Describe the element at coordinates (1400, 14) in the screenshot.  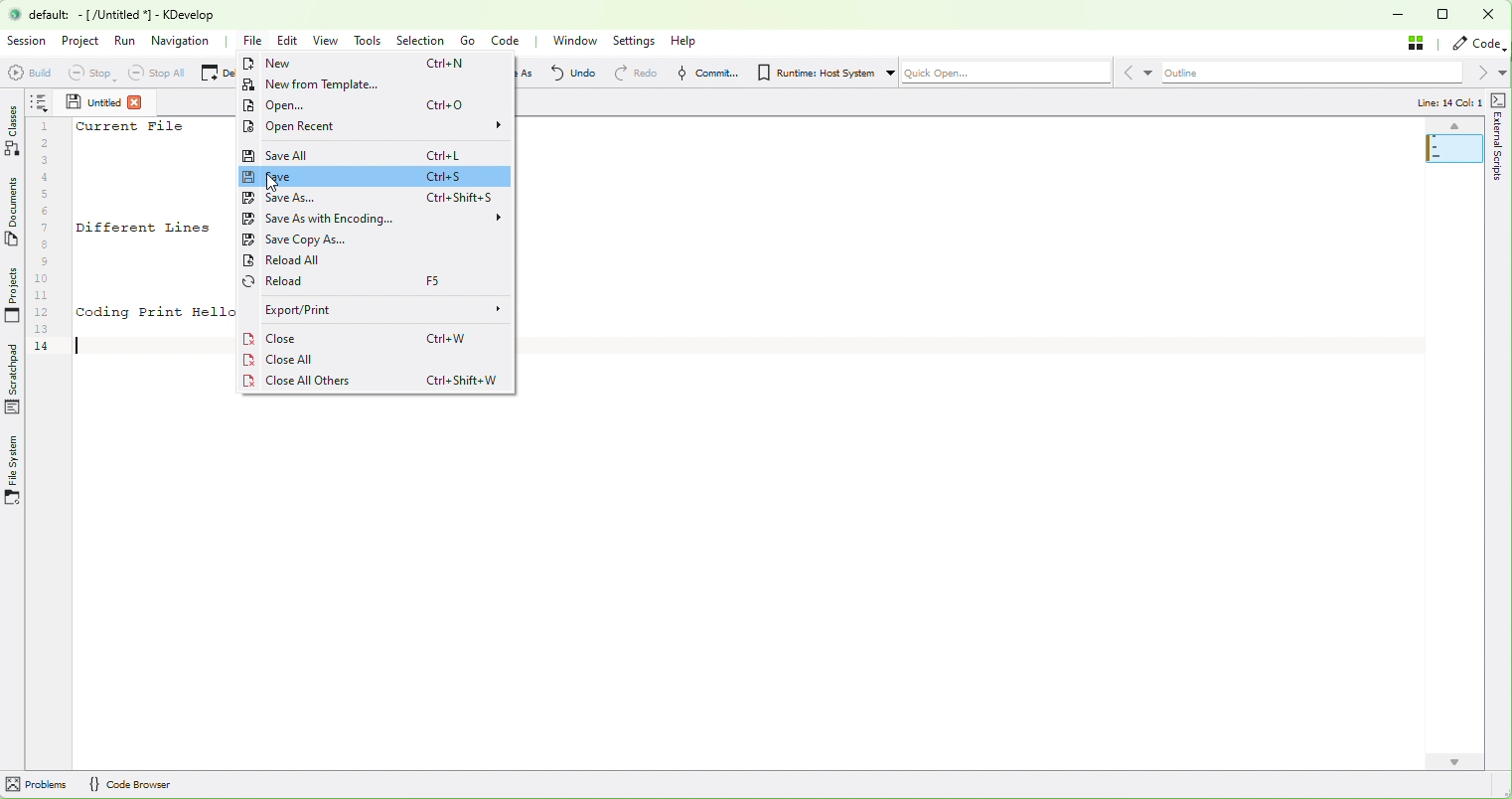
I see `Minimize` at that location.